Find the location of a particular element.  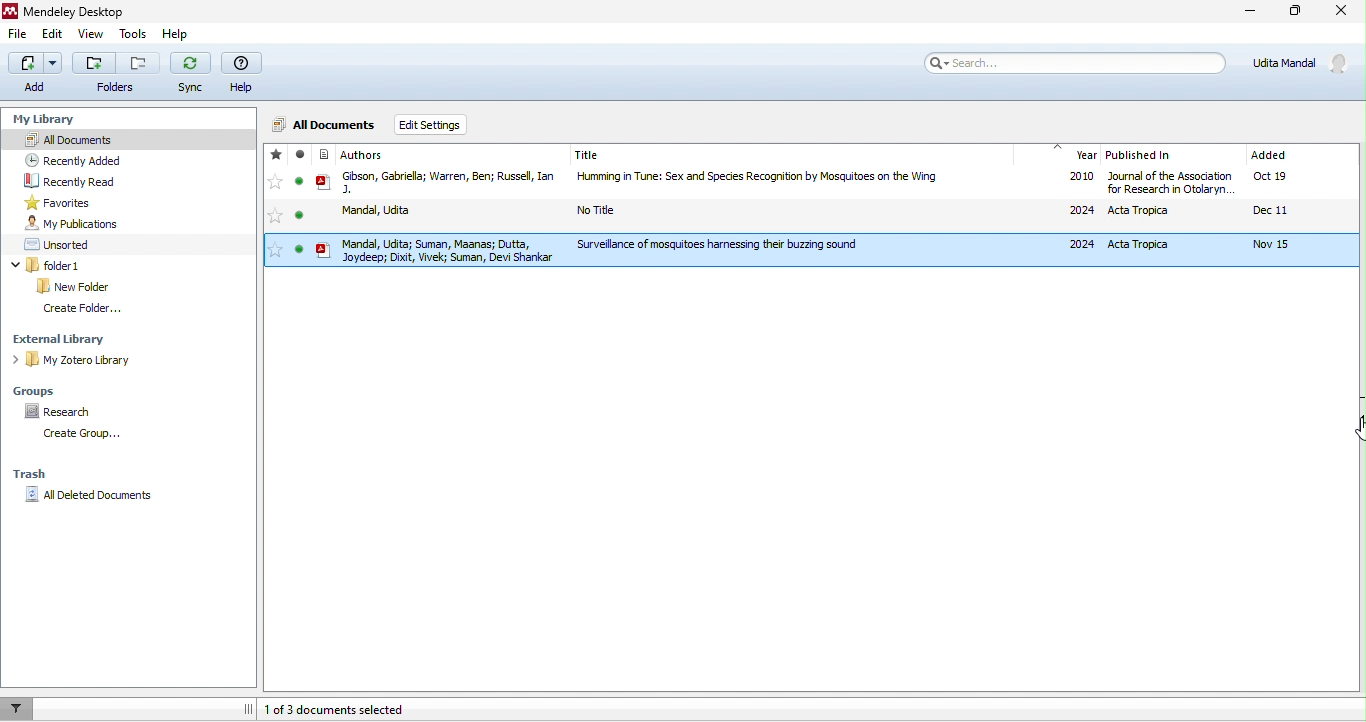

toggle hide/show is located at coordinates (244, 708).